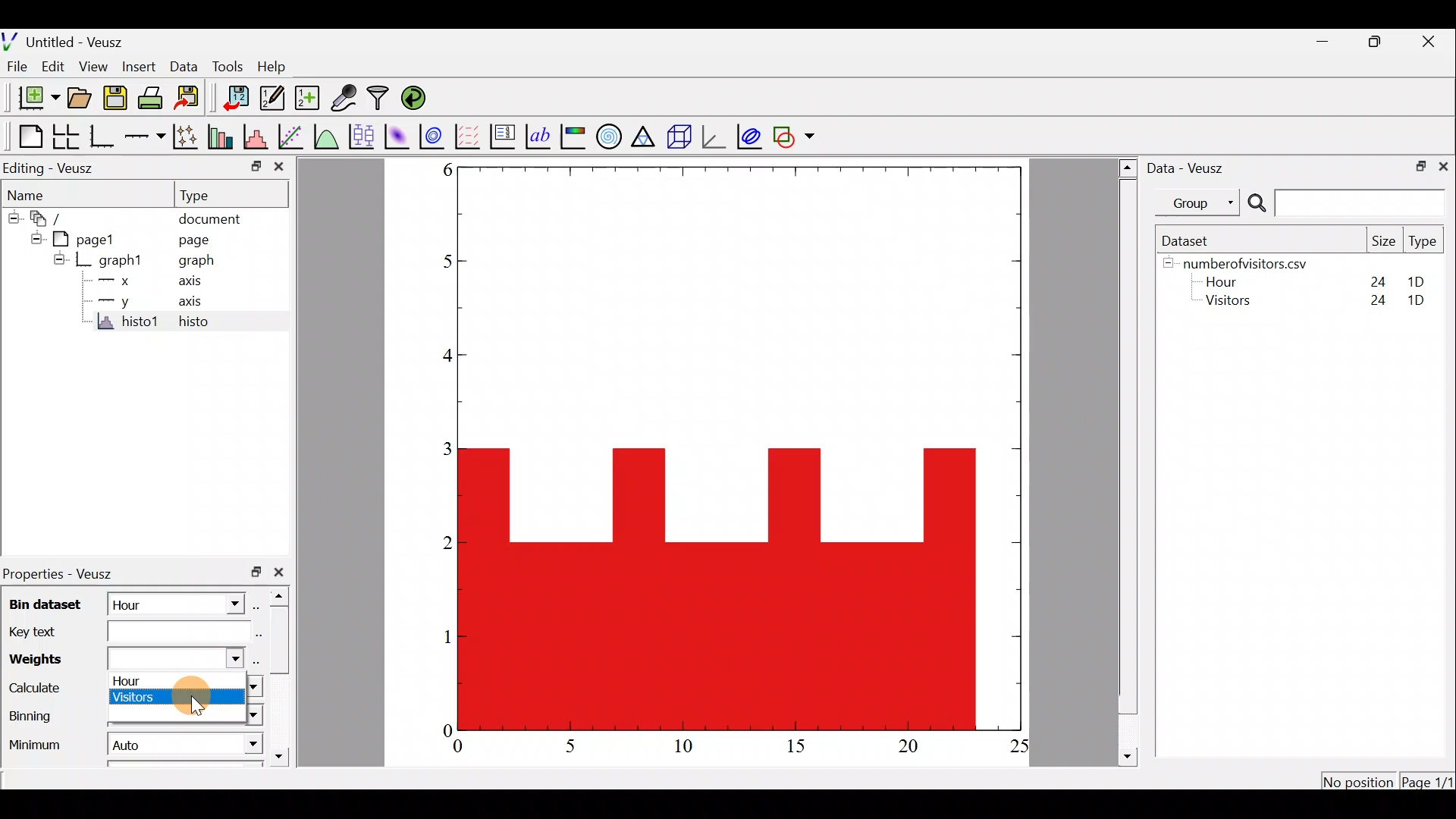 The height and width of the screenshot is (819, 1456). I want to click on Hour, so click(145, 604).